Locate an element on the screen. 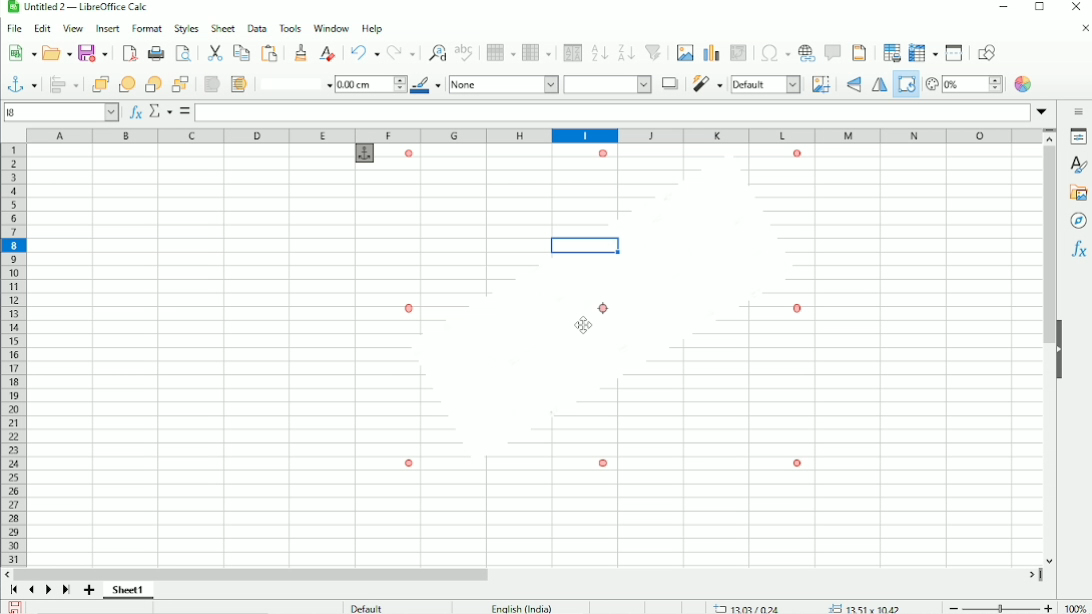  Insert comment is located at coordinates (832, 53).